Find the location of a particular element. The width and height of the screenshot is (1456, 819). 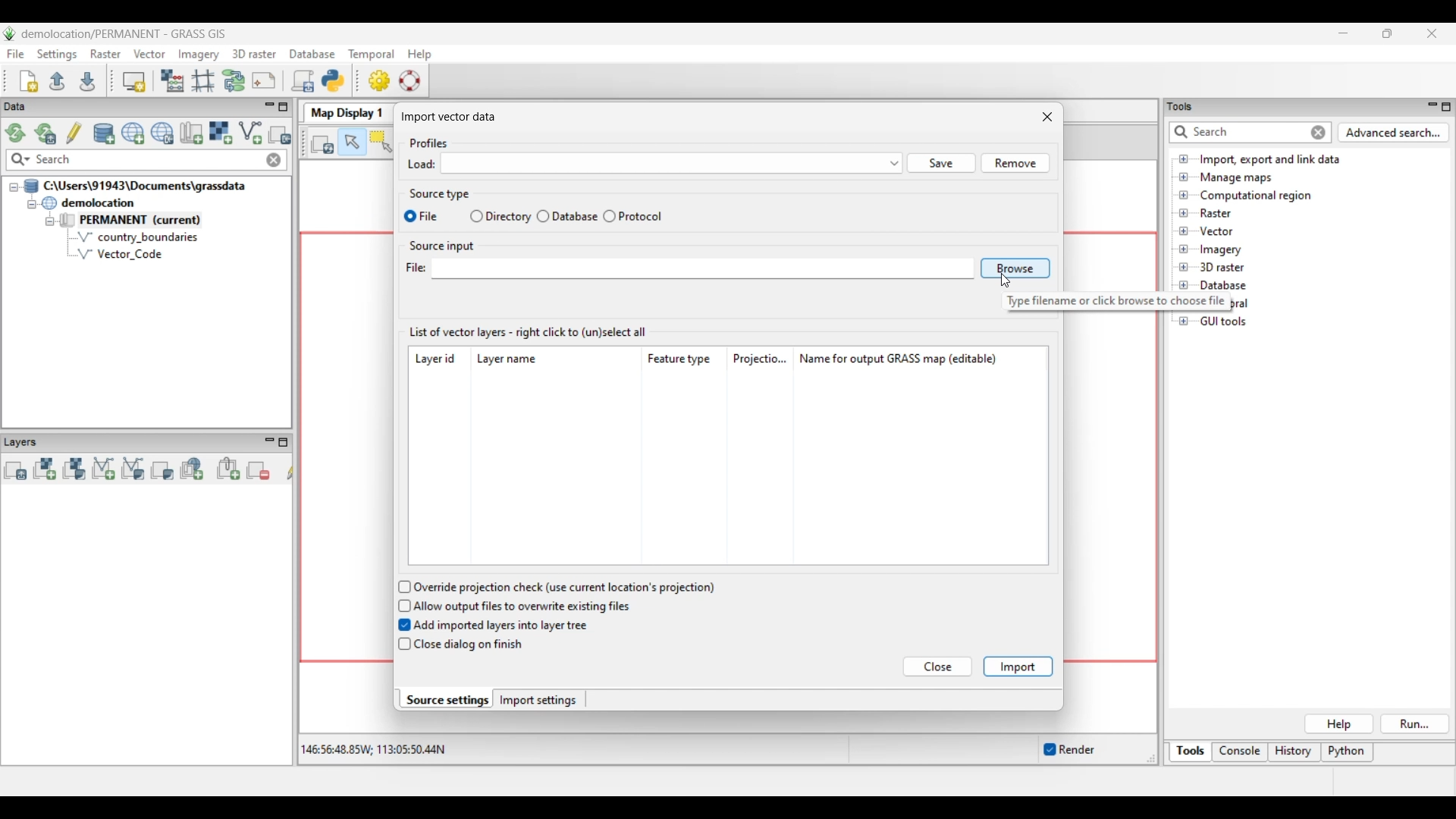

Double click to see files under GUI tools is located at coordinates (1224, 322).